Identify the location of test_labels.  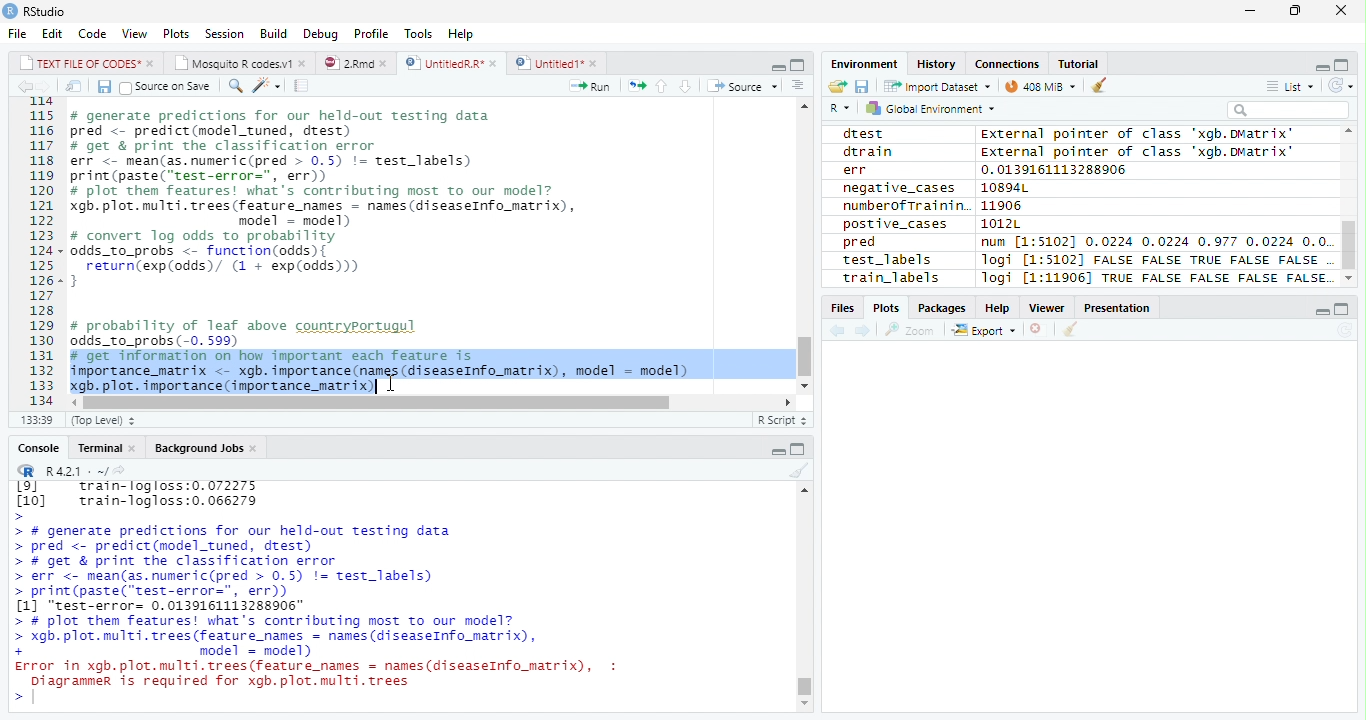
(886, 260).